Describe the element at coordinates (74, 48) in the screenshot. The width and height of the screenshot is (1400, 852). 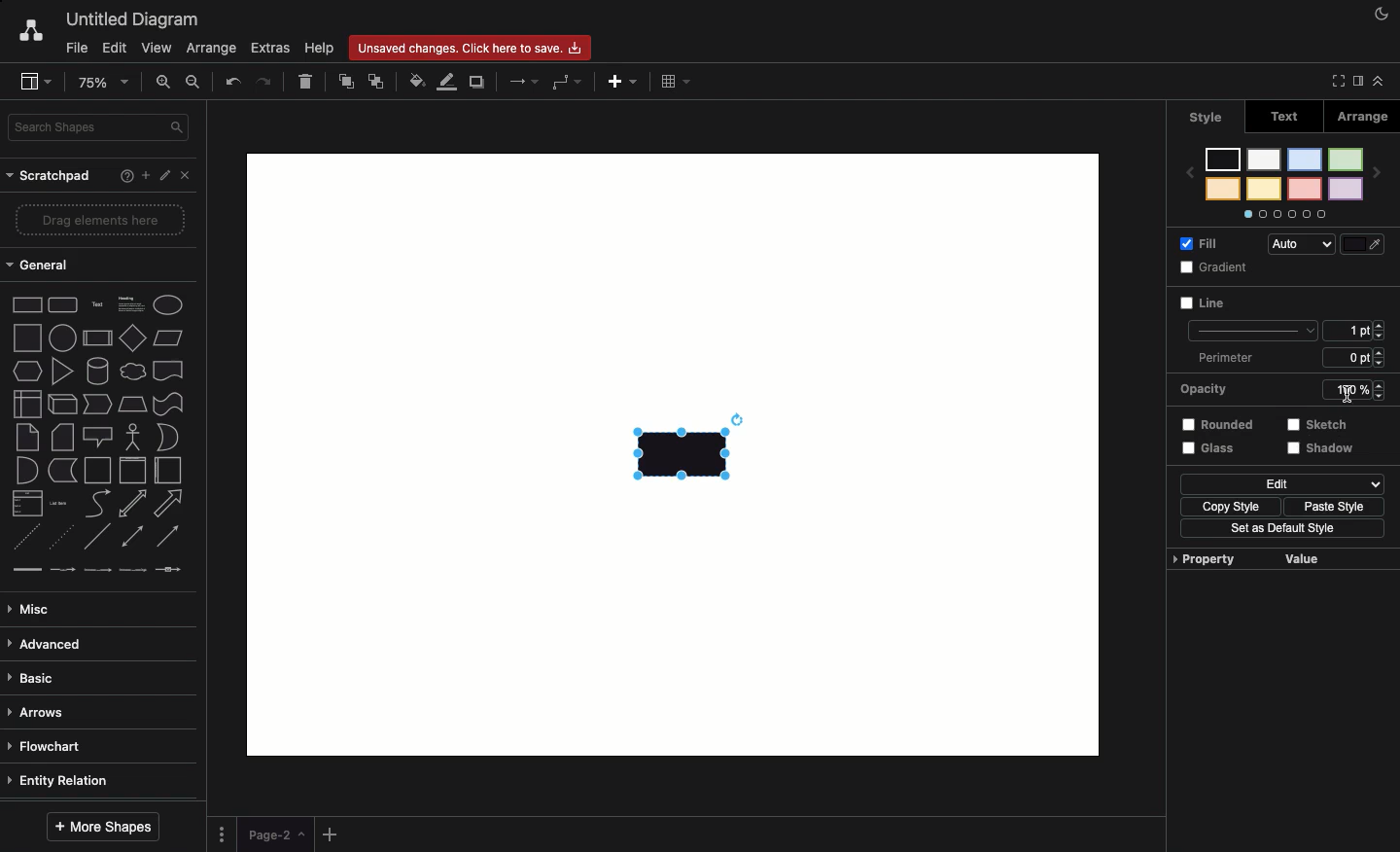
I see `File` at that location.